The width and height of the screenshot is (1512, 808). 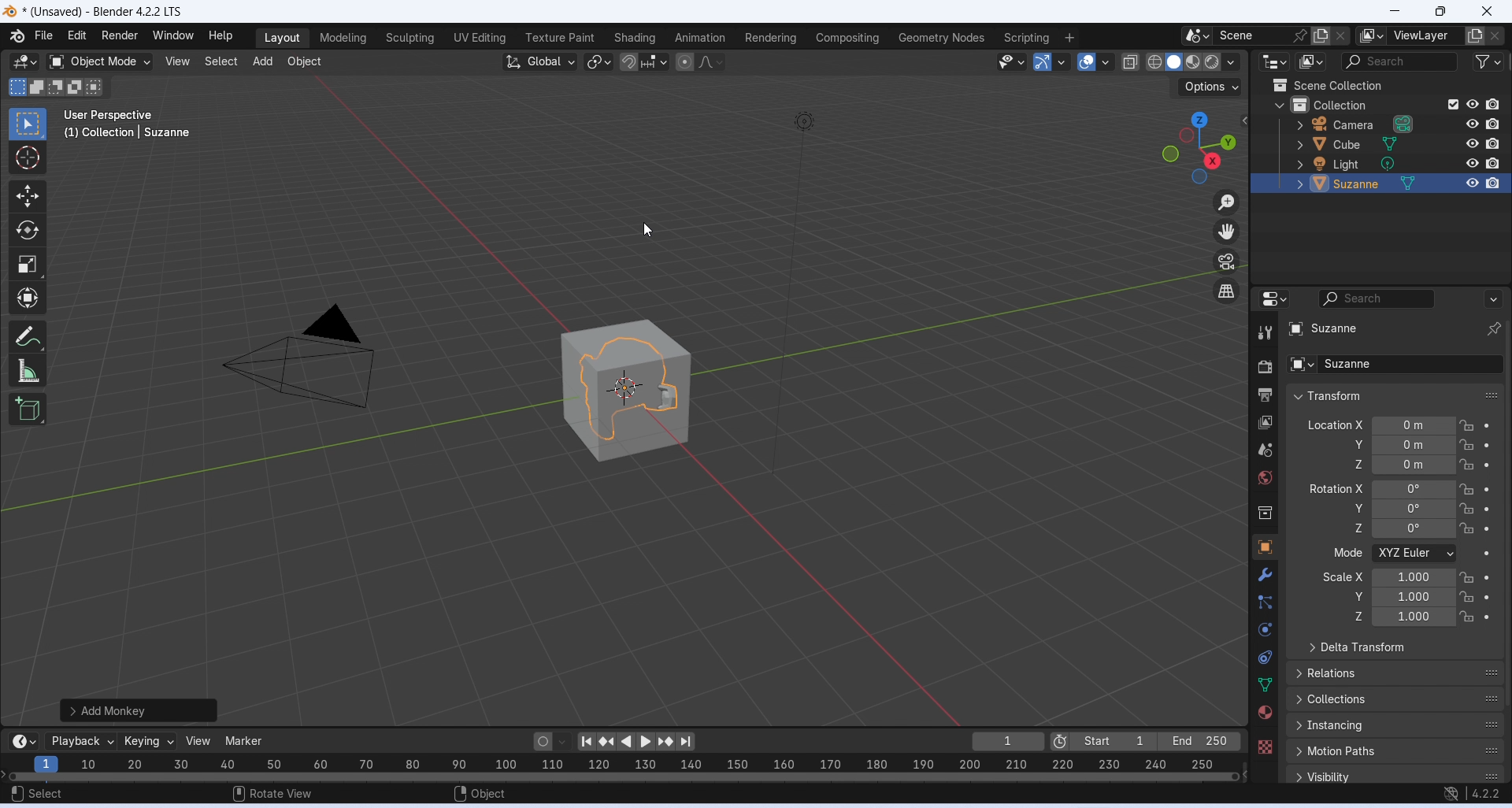 What do you see at coordinates (1114, 741) in the screenshot?
I see `Start 1` at bounding box center [1114, 741].